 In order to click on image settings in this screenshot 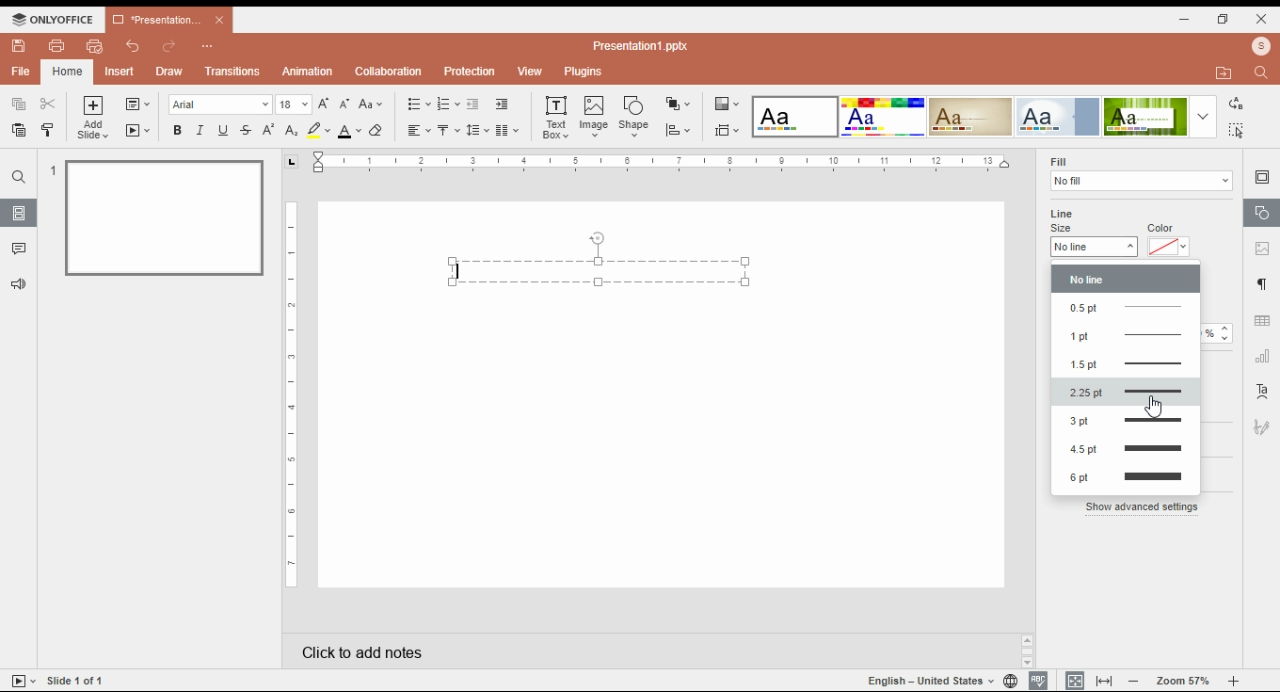, I will do `click(1261, 250)`.